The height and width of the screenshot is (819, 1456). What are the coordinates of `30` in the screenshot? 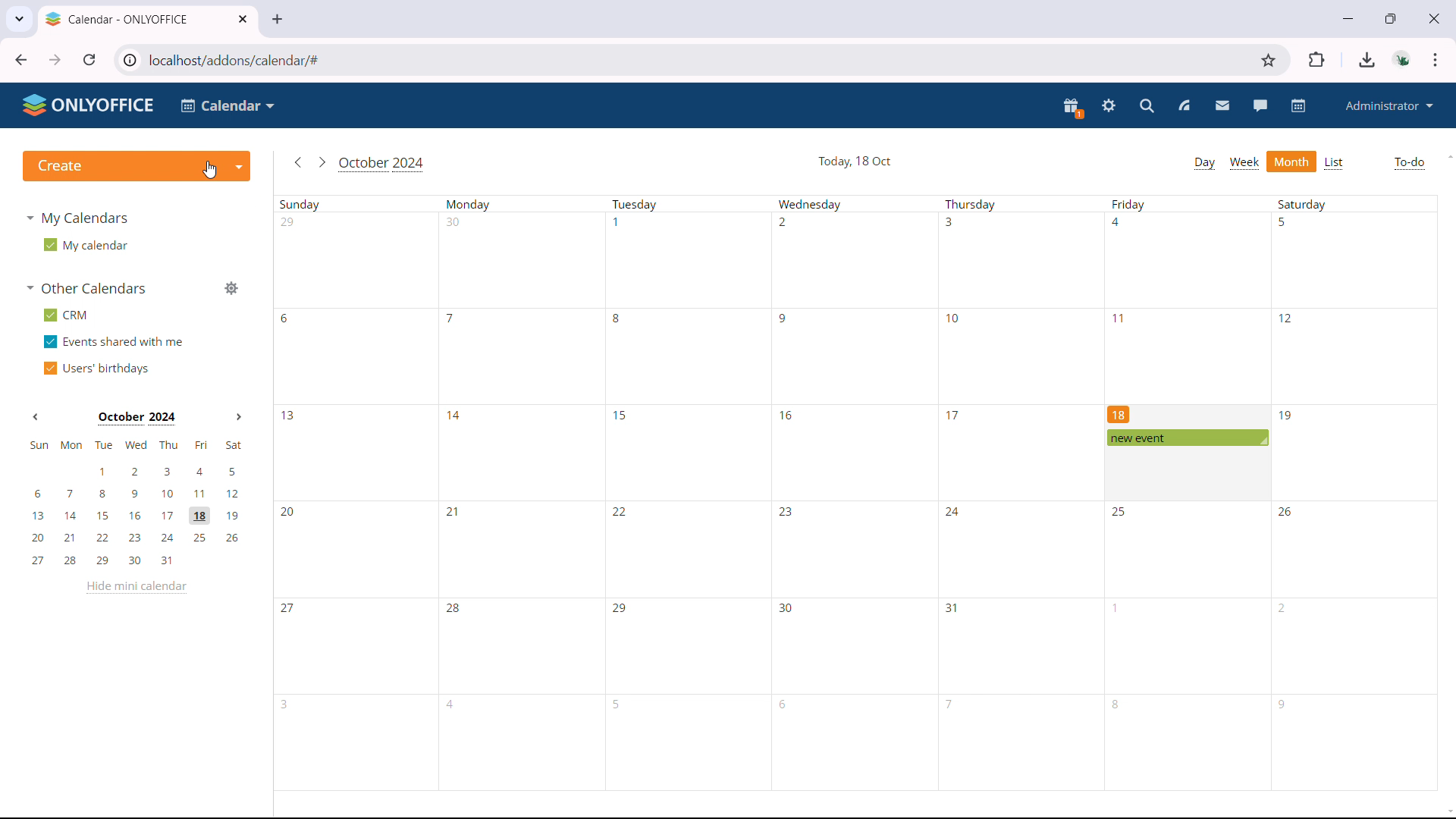 It's located at (454, 222).